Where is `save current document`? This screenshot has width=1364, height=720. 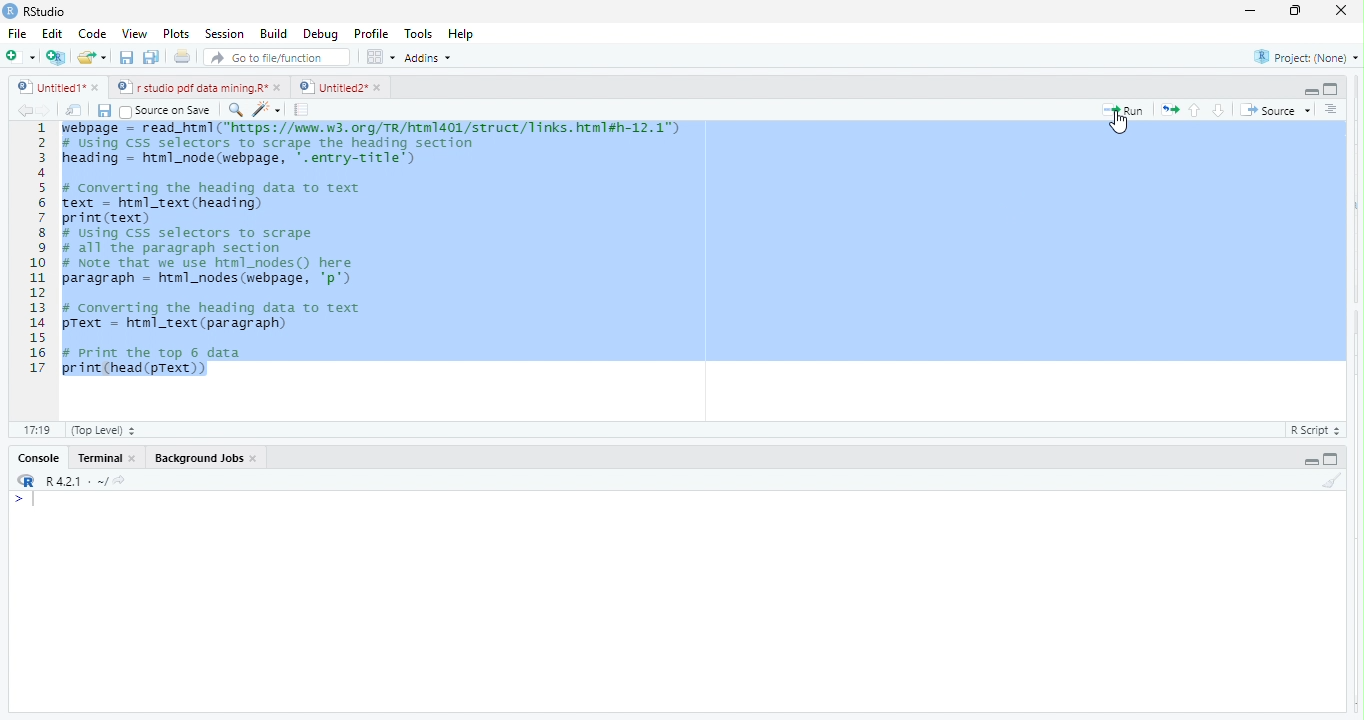 save current document is located at coordinates (104, 112).